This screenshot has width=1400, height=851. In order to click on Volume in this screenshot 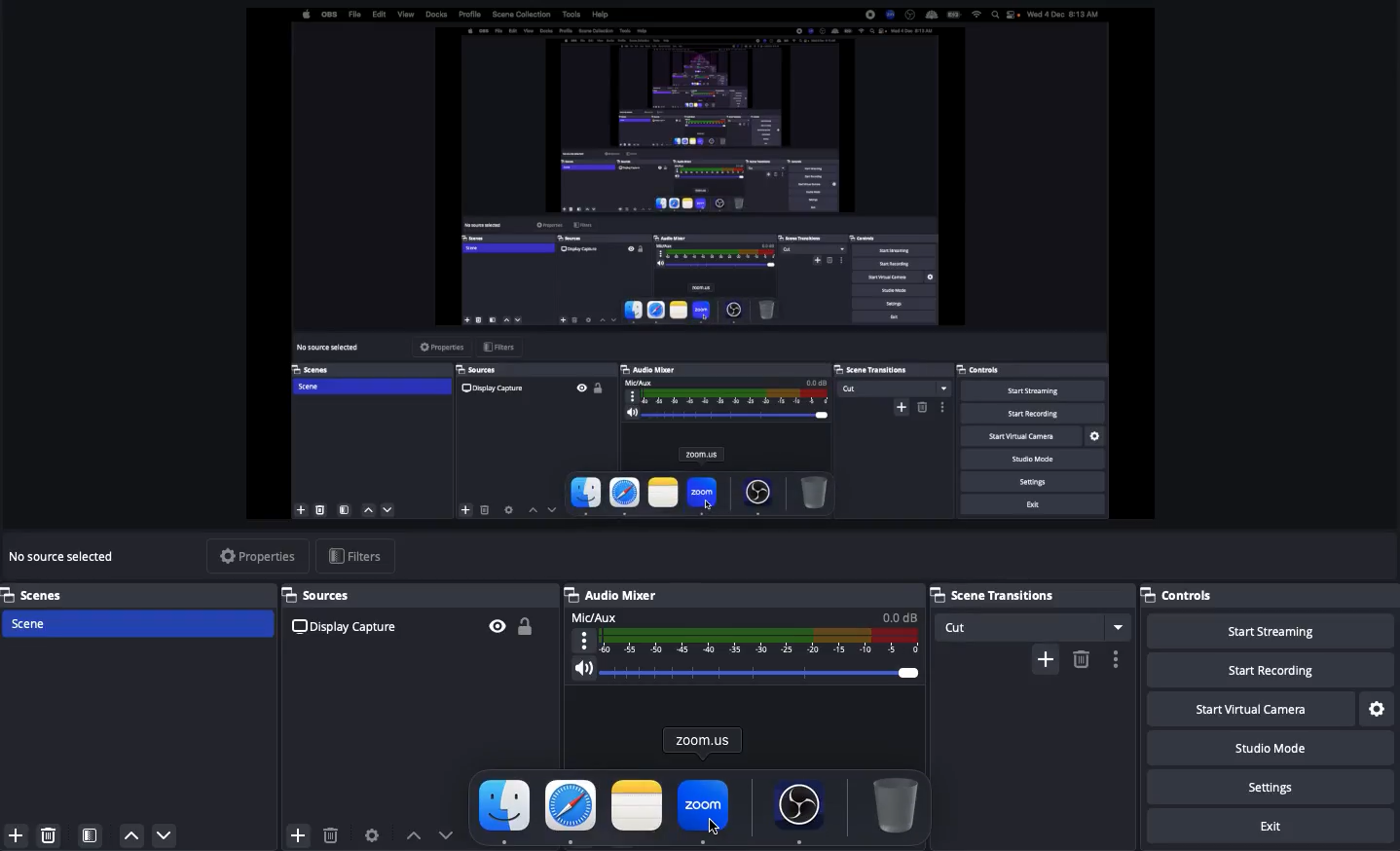, I will do `click(747, 668)`.